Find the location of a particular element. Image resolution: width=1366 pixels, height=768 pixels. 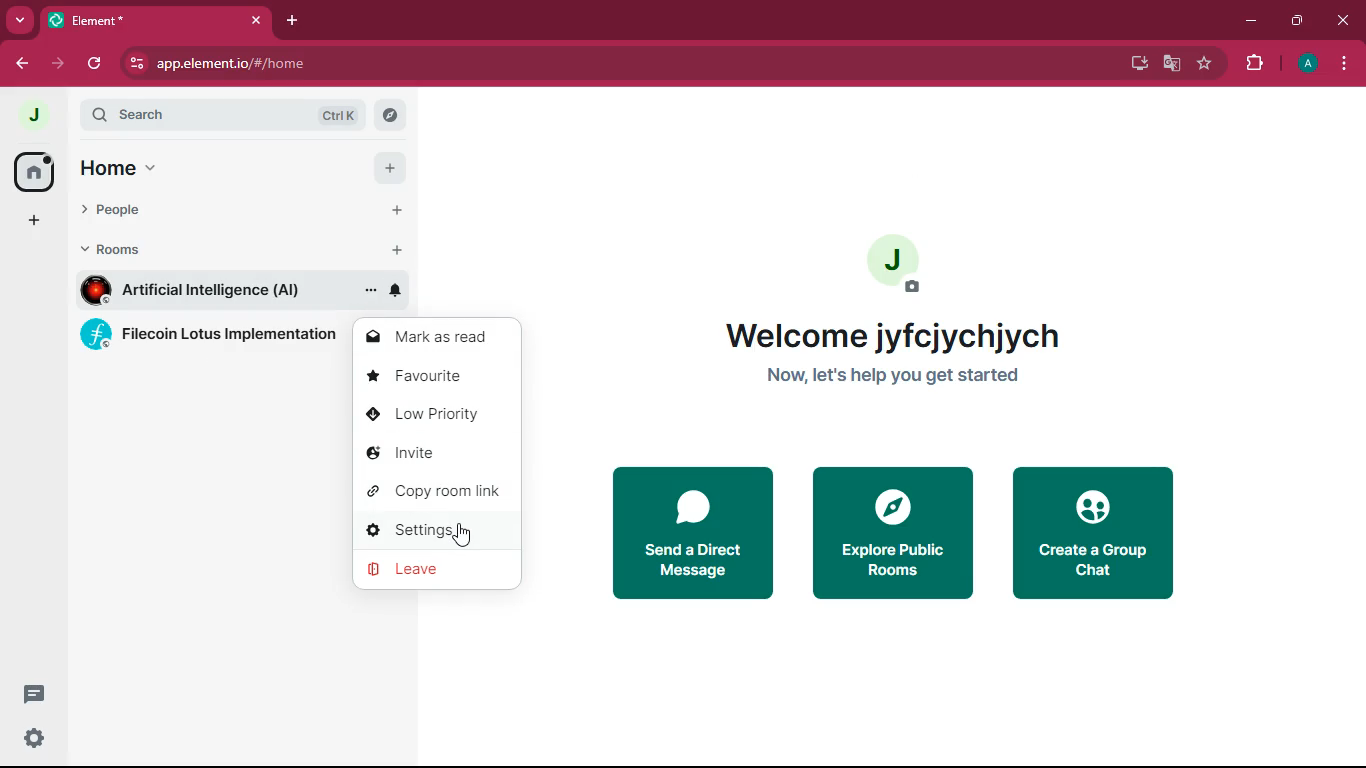

extensions is located at coordinates (1255, 63).